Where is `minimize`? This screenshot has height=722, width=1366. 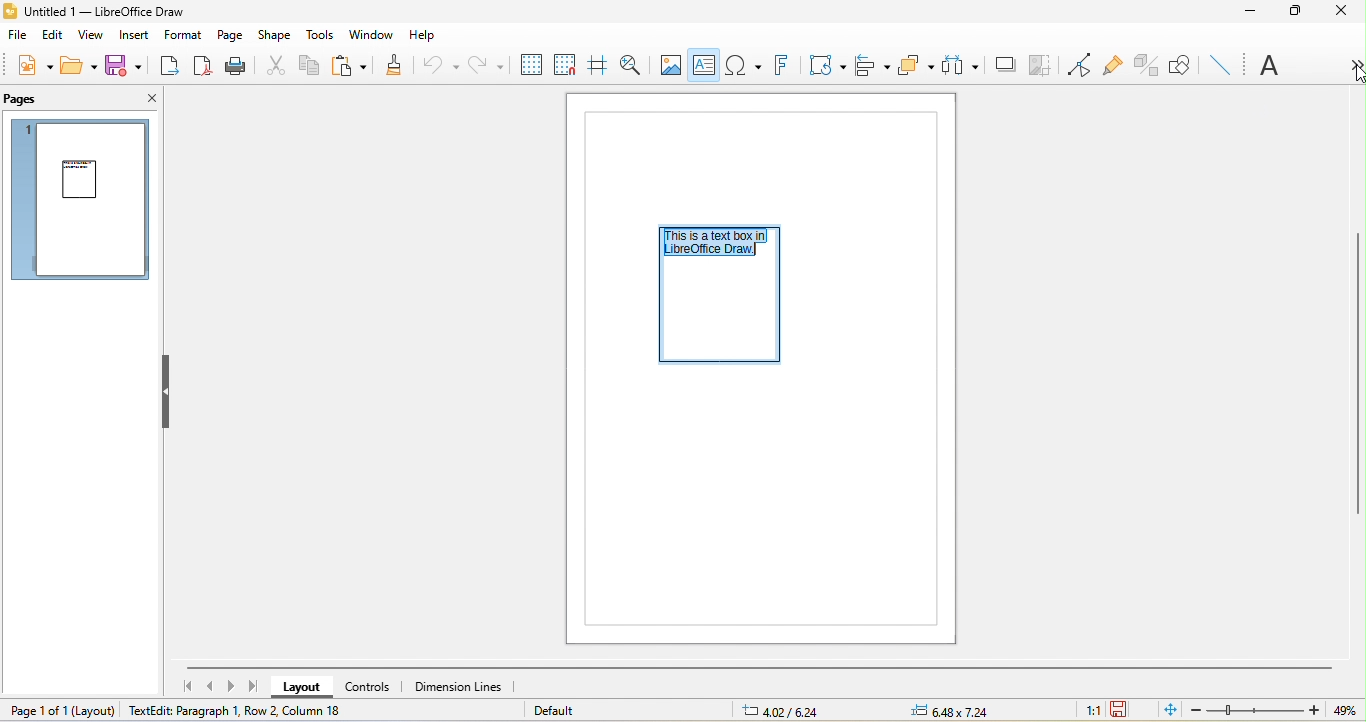 minimize is located at coordinates (1249, 12).